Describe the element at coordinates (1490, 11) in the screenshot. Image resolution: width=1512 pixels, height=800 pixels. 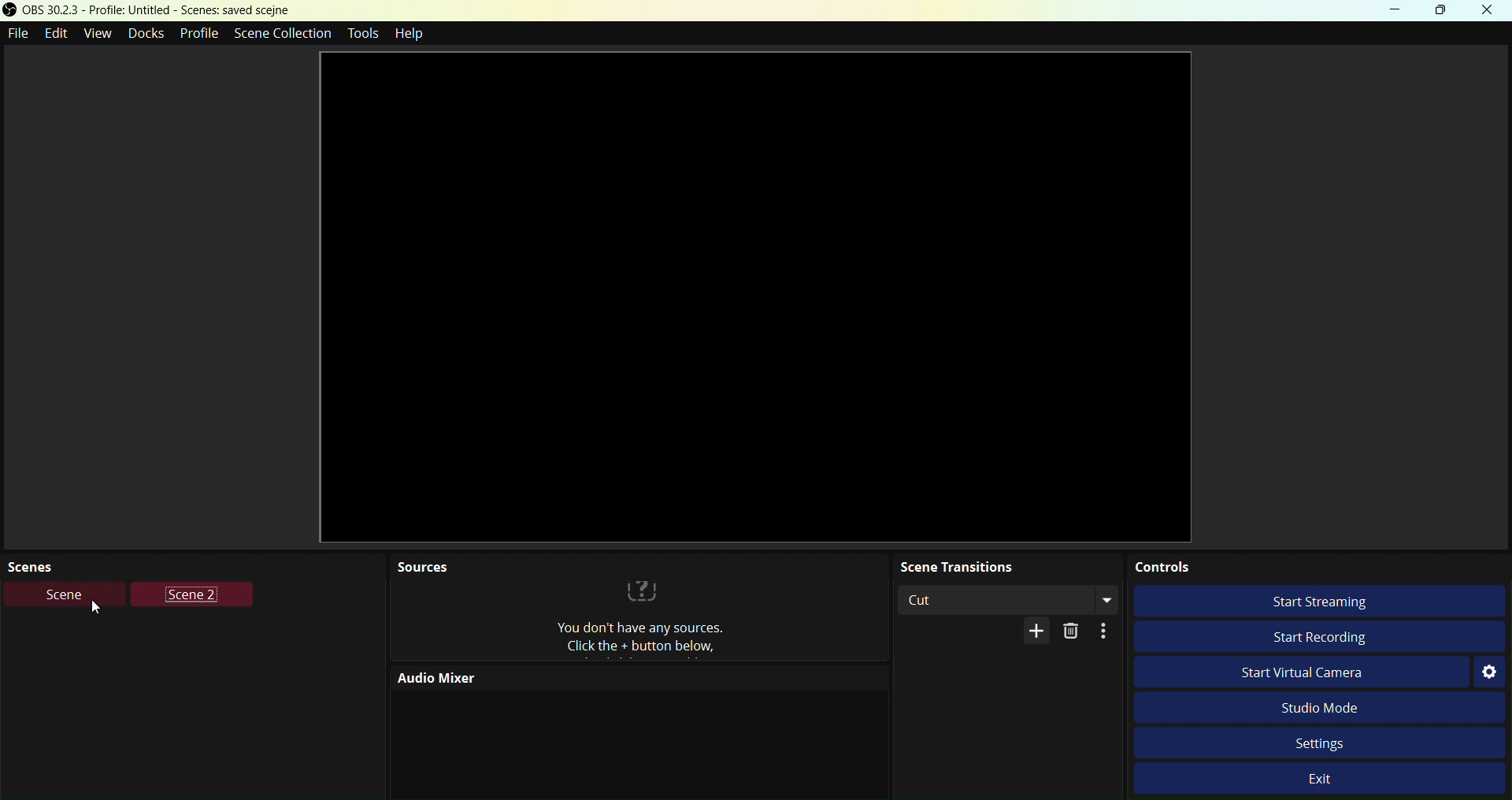
I see `Close` at that location.